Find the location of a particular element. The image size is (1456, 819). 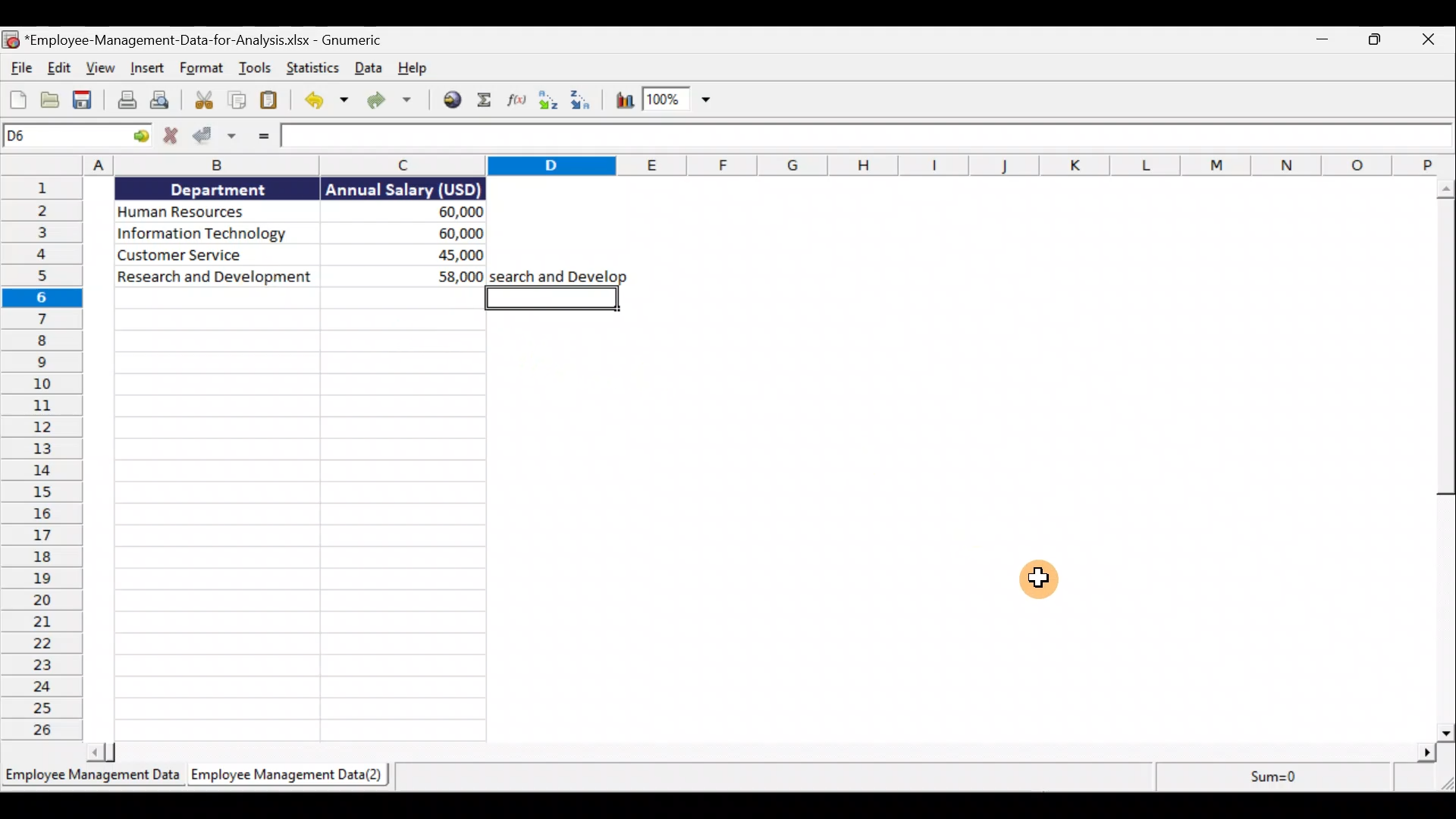

Cell allocation is located at coordinates (75, 136).